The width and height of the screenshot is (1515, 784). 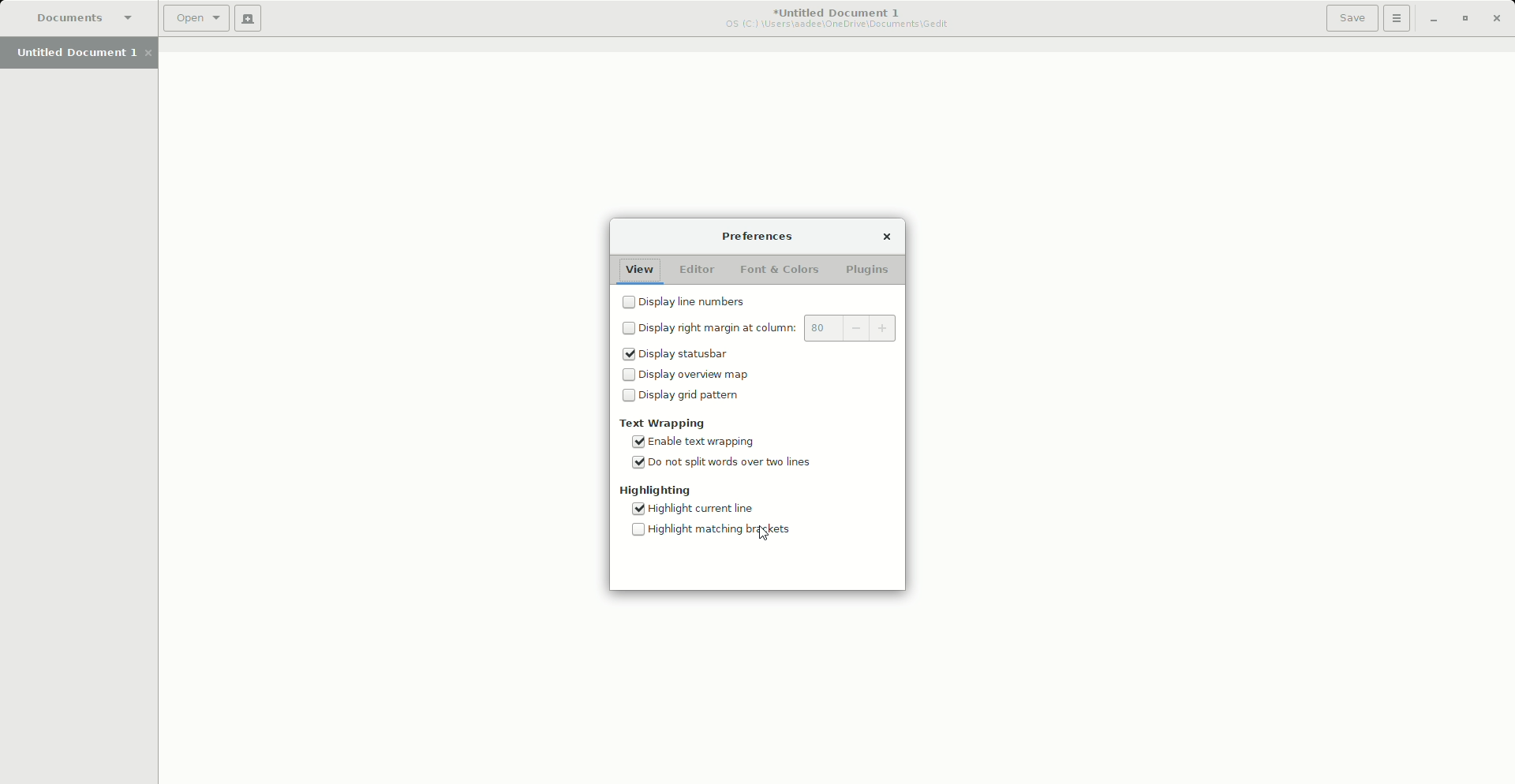 What do you see at coordinates (884, 235) in the screenshot?
I see `Close` at bounding box center [884, 235].